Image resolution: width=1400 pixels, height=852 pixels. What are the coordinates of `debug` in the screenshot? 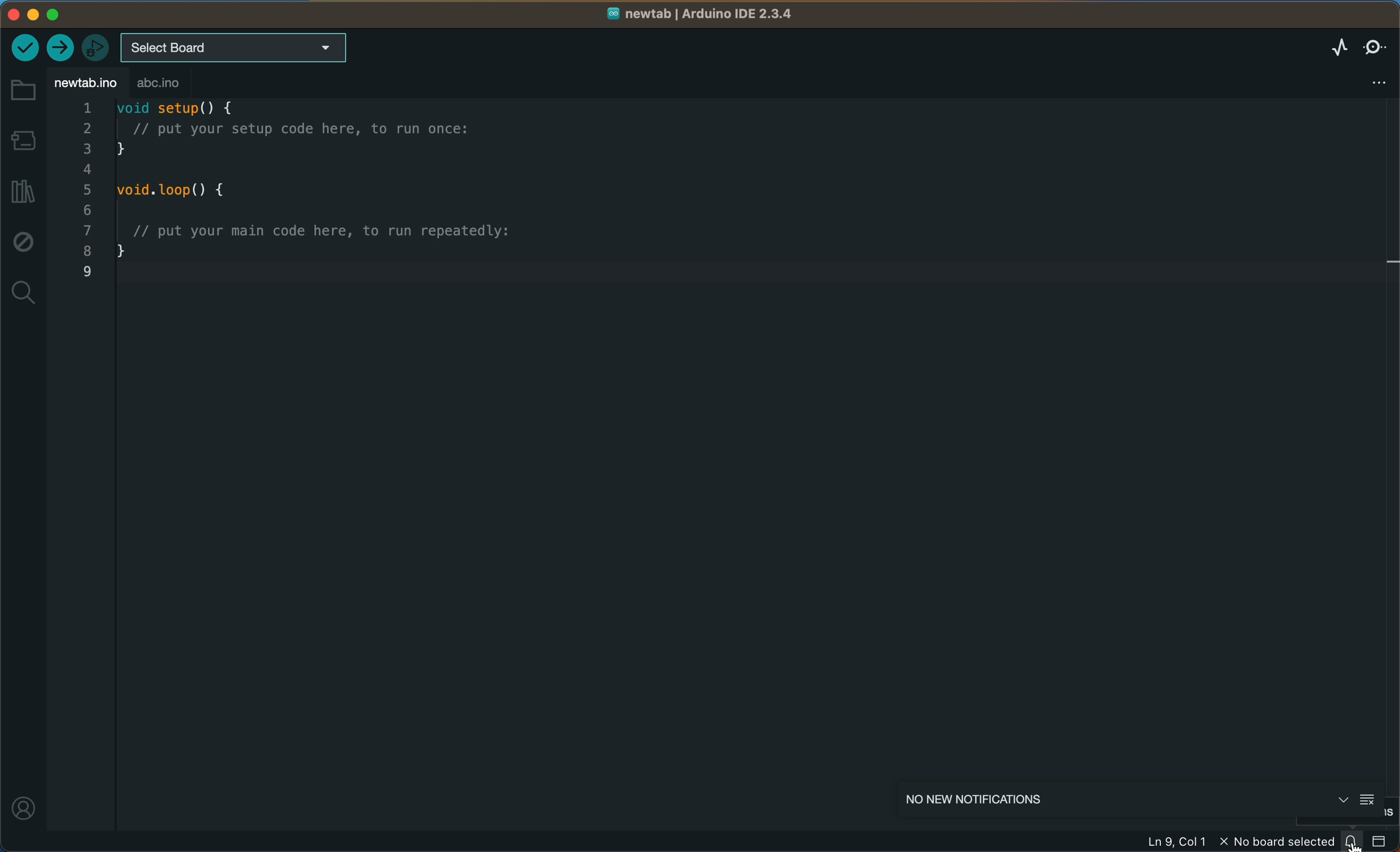 It's located at (22, 245).